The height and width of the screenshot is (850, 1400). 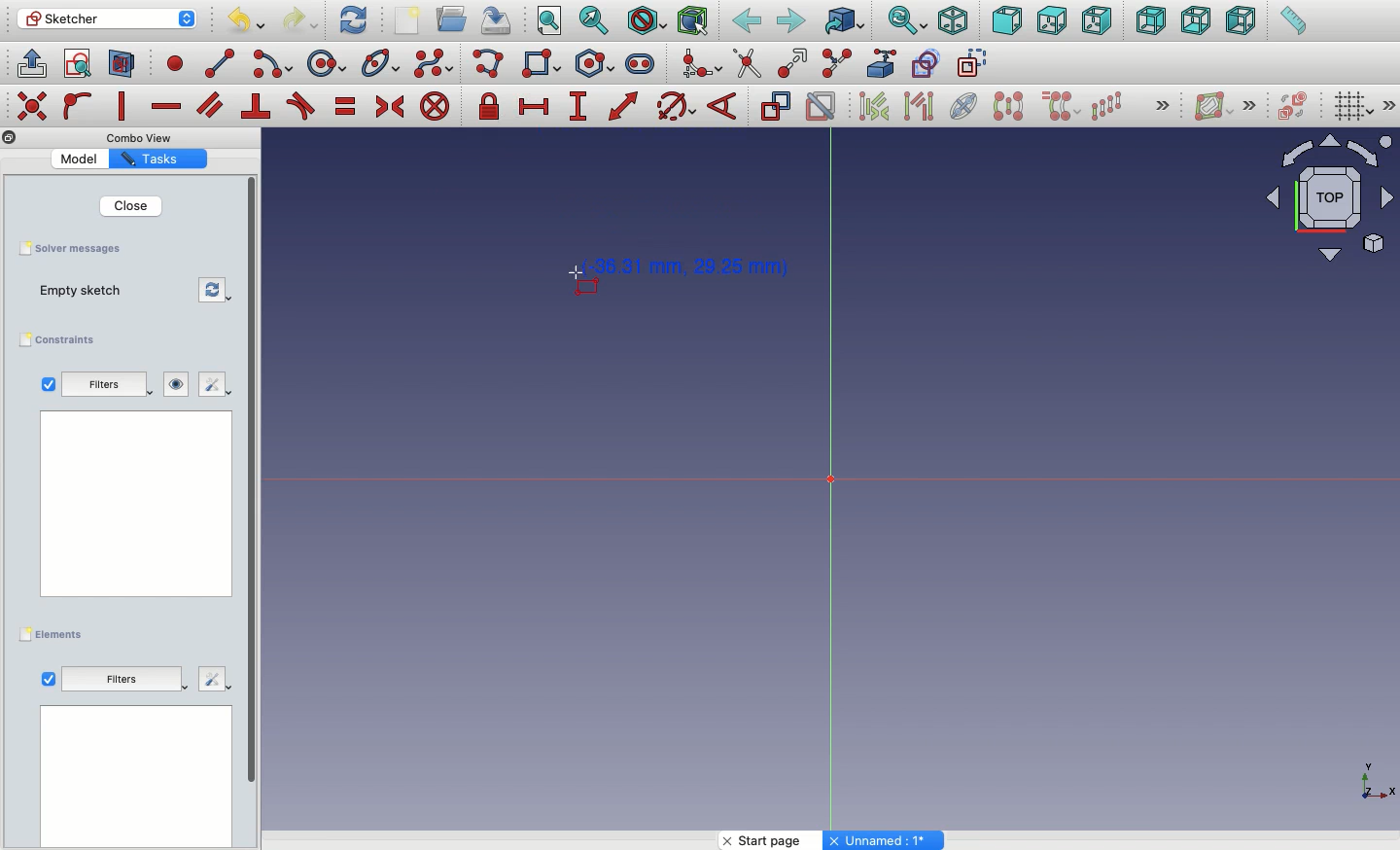 I want to click on refresh, so click(x=217, y=291).